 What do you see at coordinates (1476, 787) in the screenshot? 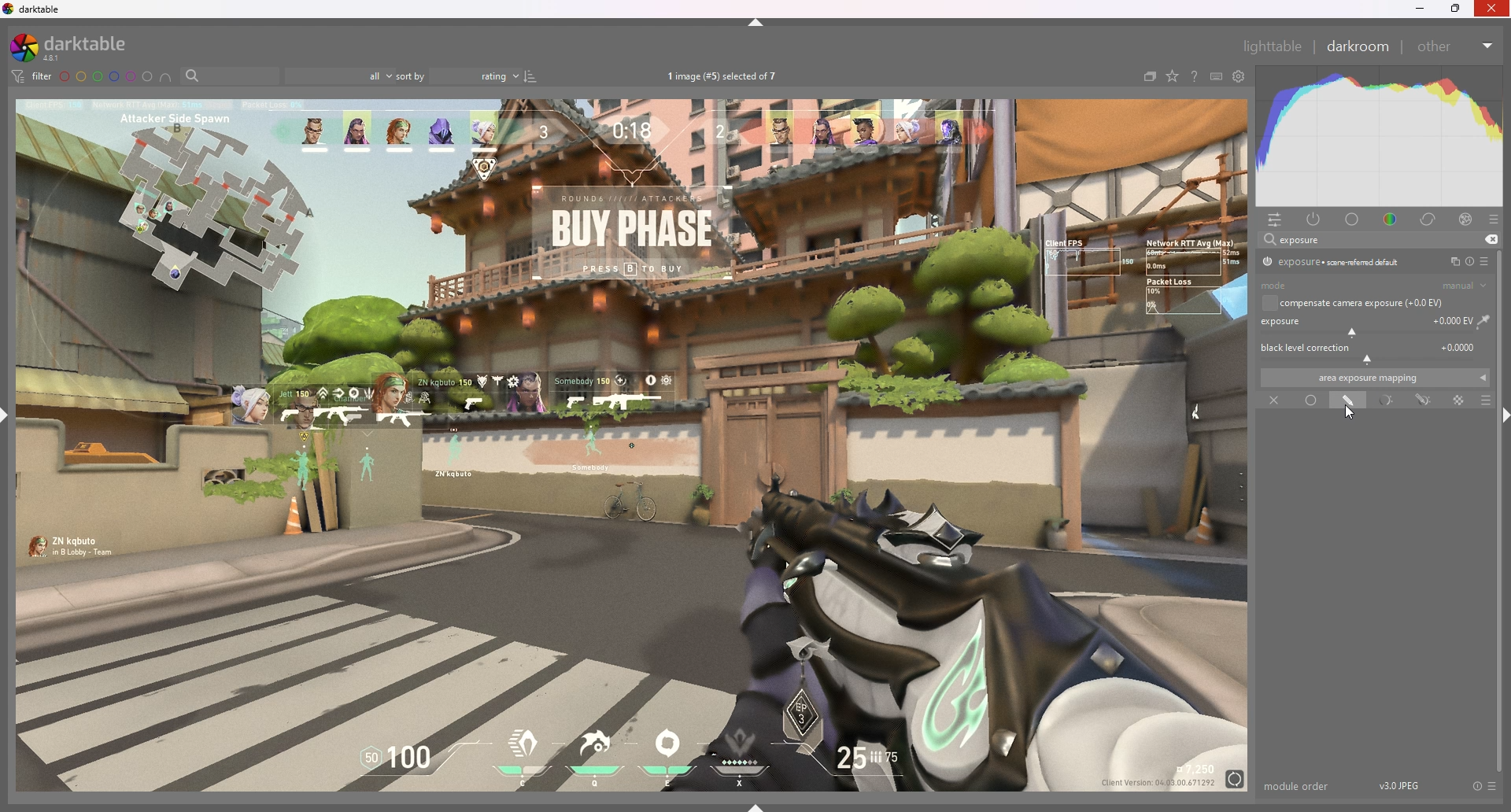
I see `reset` at bounding box center [1476, 787].